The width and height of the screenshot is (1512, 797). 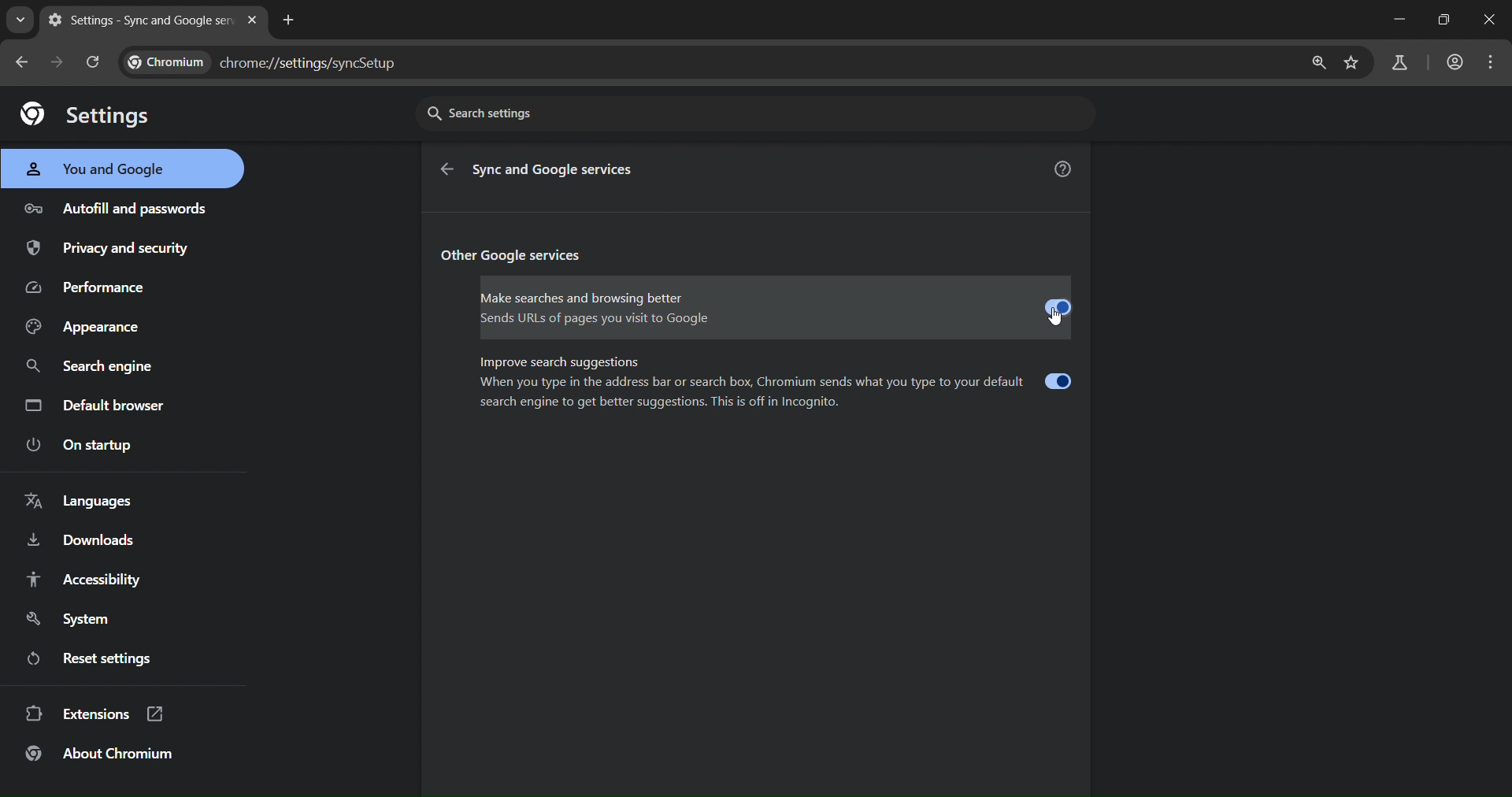 What do you see at coordinates (112, 247) in the screenshot?
I see `privacy and security` at bounding box center [112, 247].